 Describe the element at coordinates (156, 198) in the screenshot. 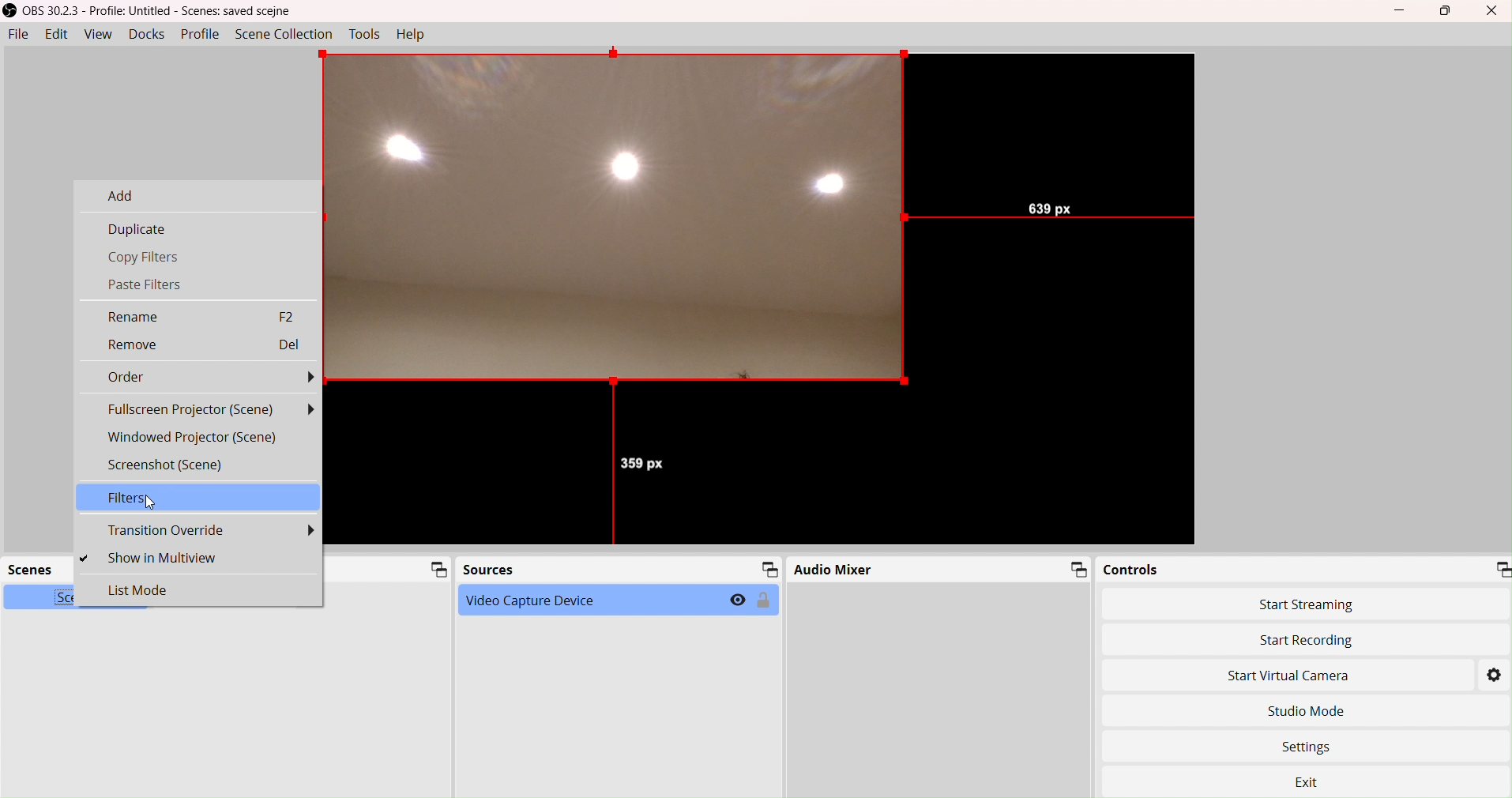

I see `Add` at that location.